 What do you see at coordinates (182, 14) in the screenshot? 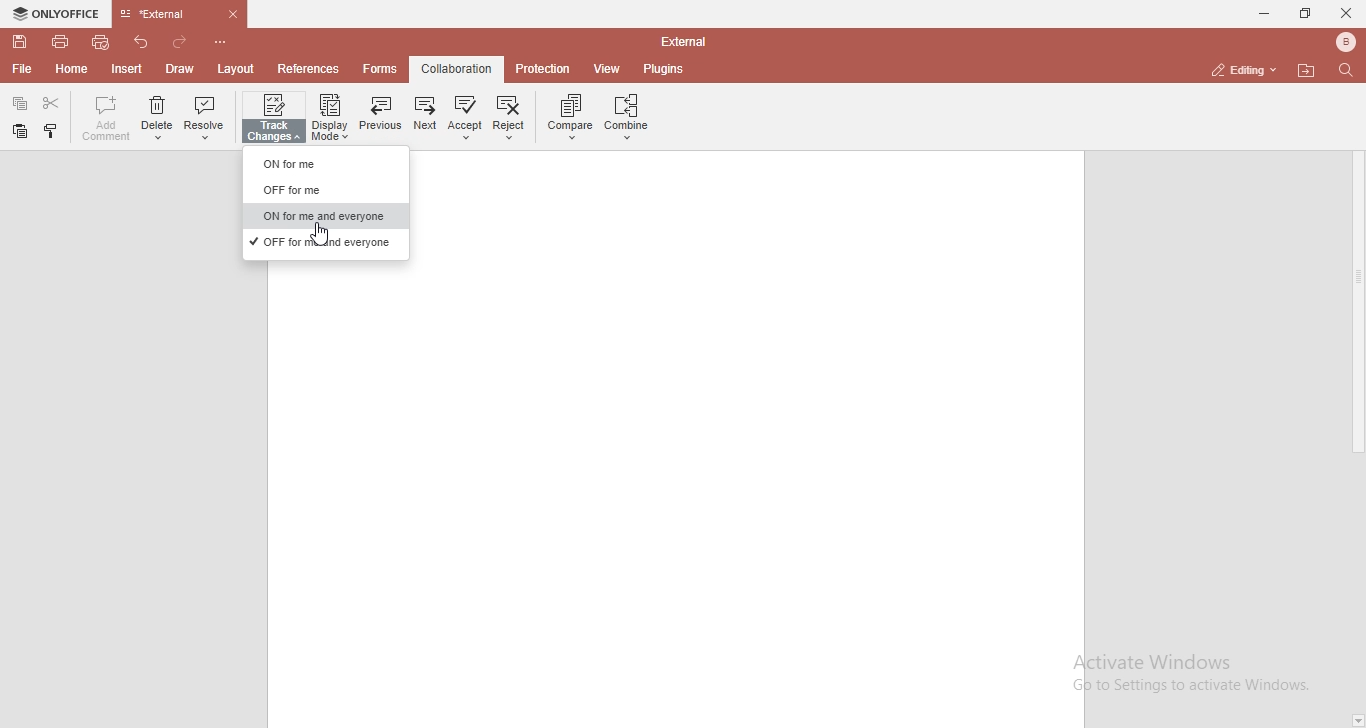
I see `file tab name` at bounding box center [182, 14].